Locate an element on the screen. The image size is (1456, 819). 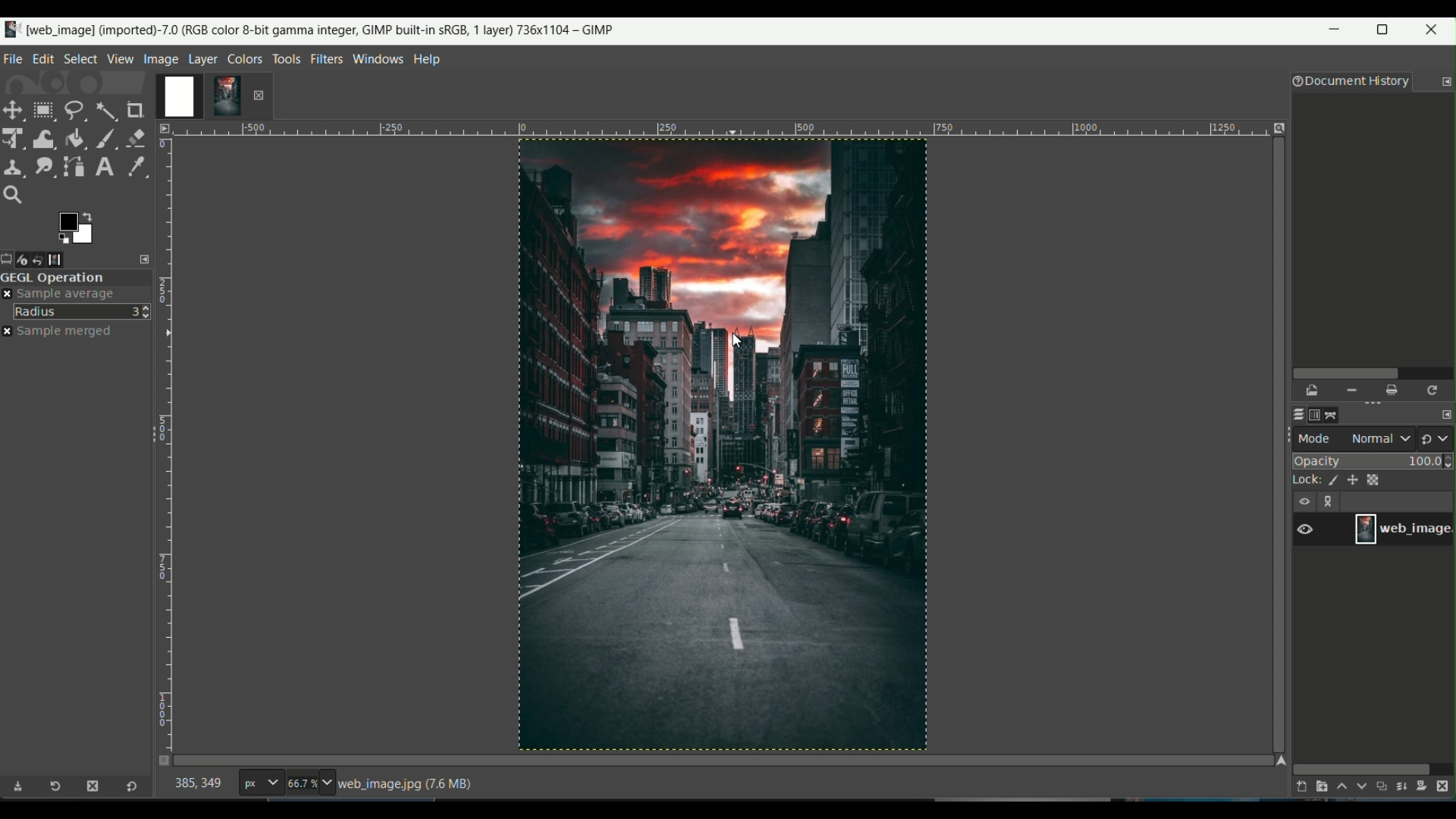
clear the entire document history is located at coordinates (1393, 391).